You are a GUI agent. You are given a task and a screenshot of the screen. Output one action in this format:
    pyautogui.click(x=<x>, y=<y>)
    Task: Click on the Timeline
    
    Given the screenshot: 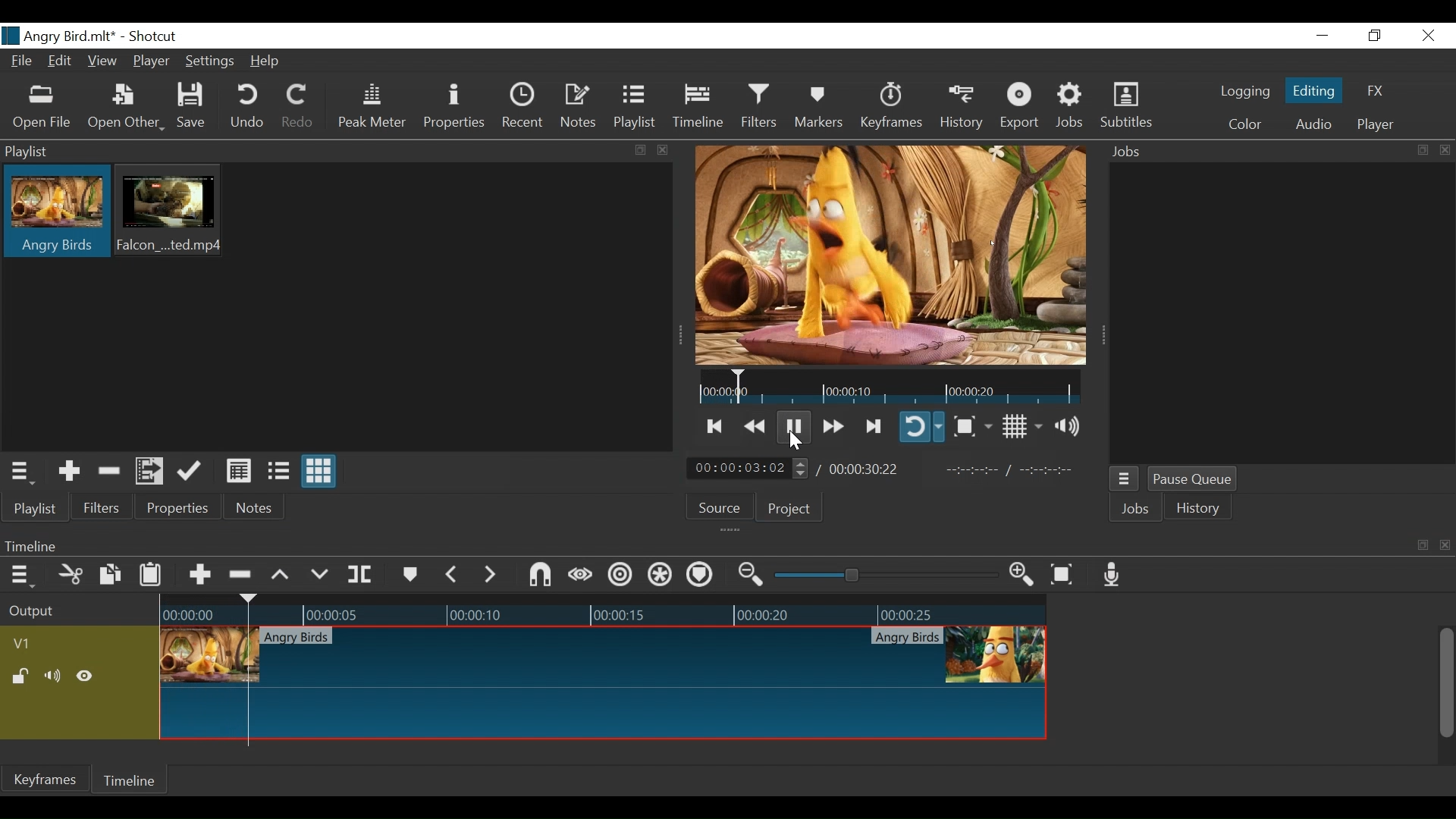 What is the action you would take?
    pyautogui.click(x=136, y=782)
    